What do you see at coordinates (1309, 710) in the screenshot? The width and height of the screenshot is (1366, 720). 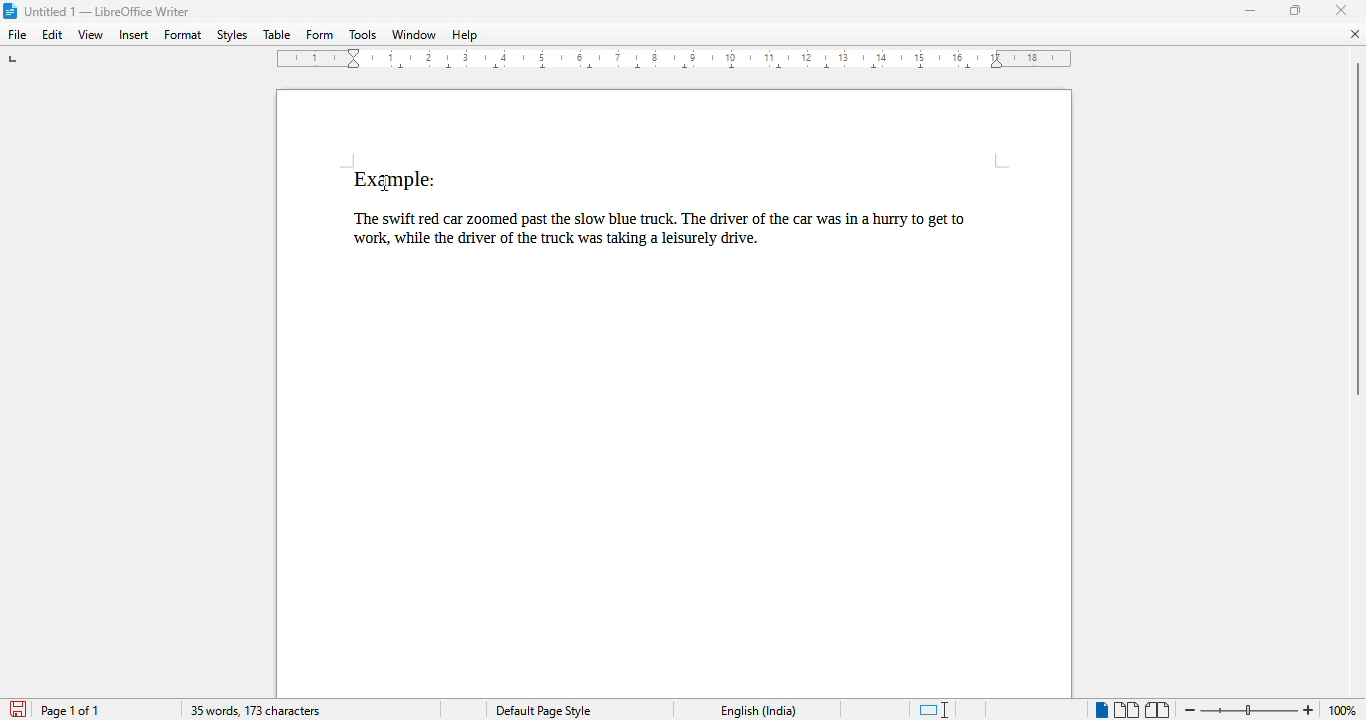 I see `zoom in` at bounding box center [1309, 710].